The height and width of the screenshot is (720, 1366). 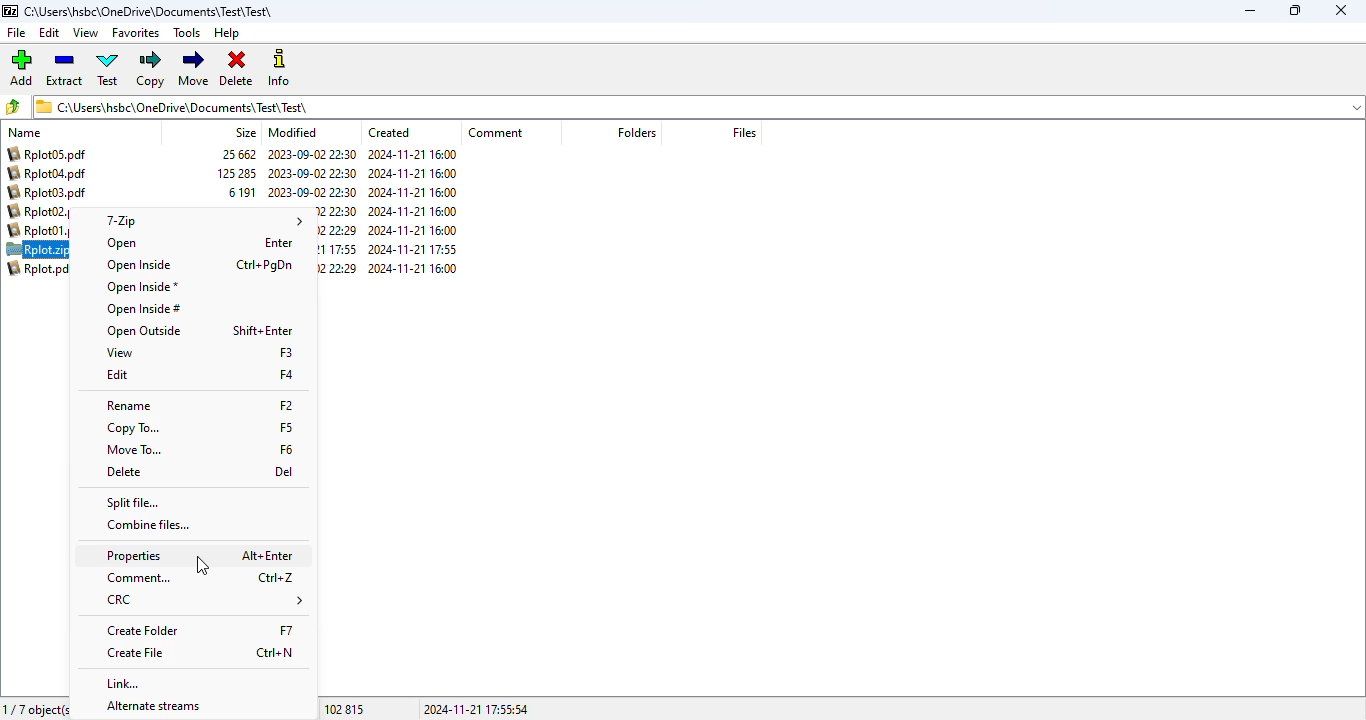 I want to click on shortcut for move to, so click(x=287, y=449).